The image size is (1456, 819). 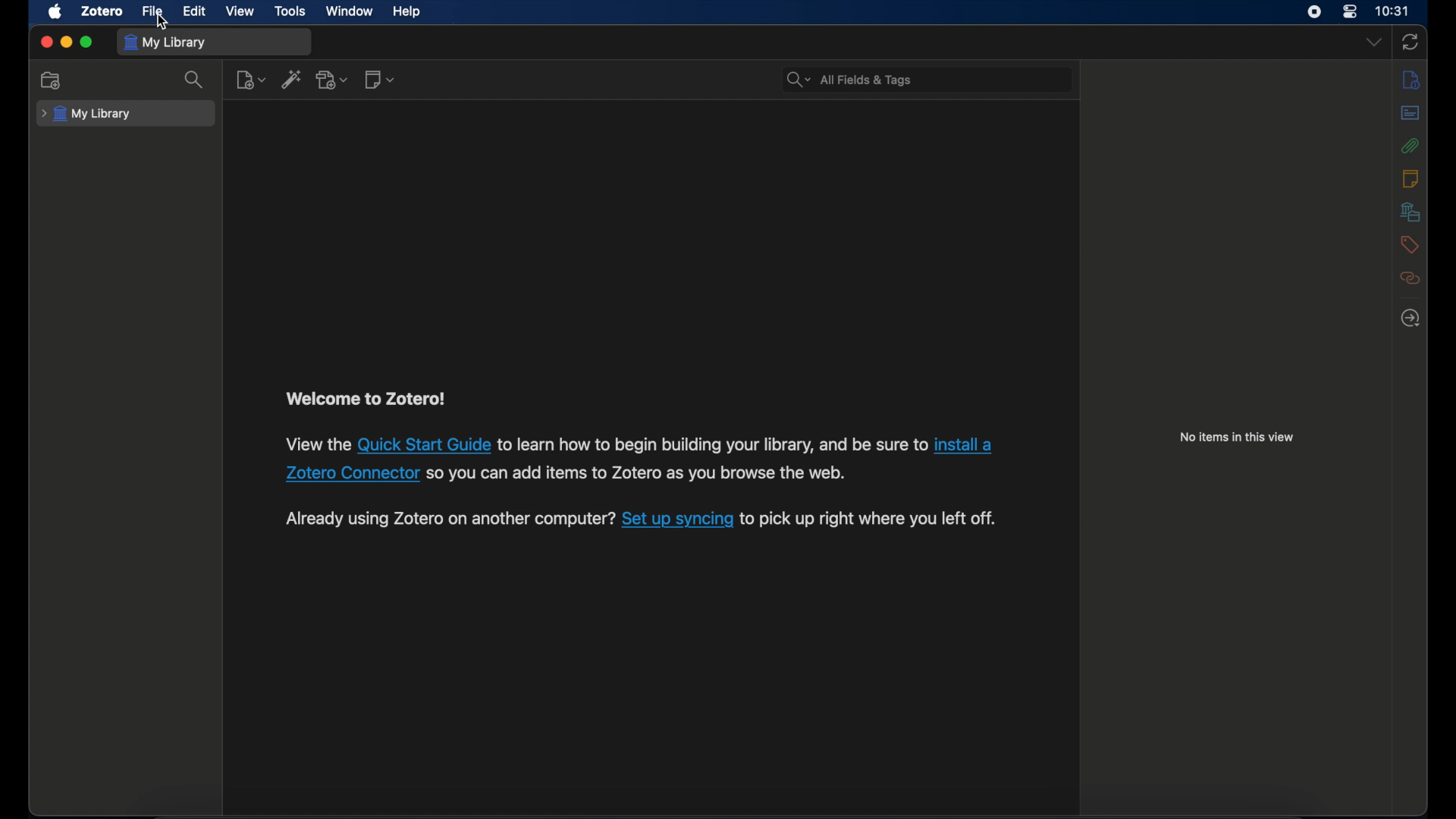 What do you see at coordinates (713, 444) in the screenshot?
I see `` at bounding box center [713, 444].